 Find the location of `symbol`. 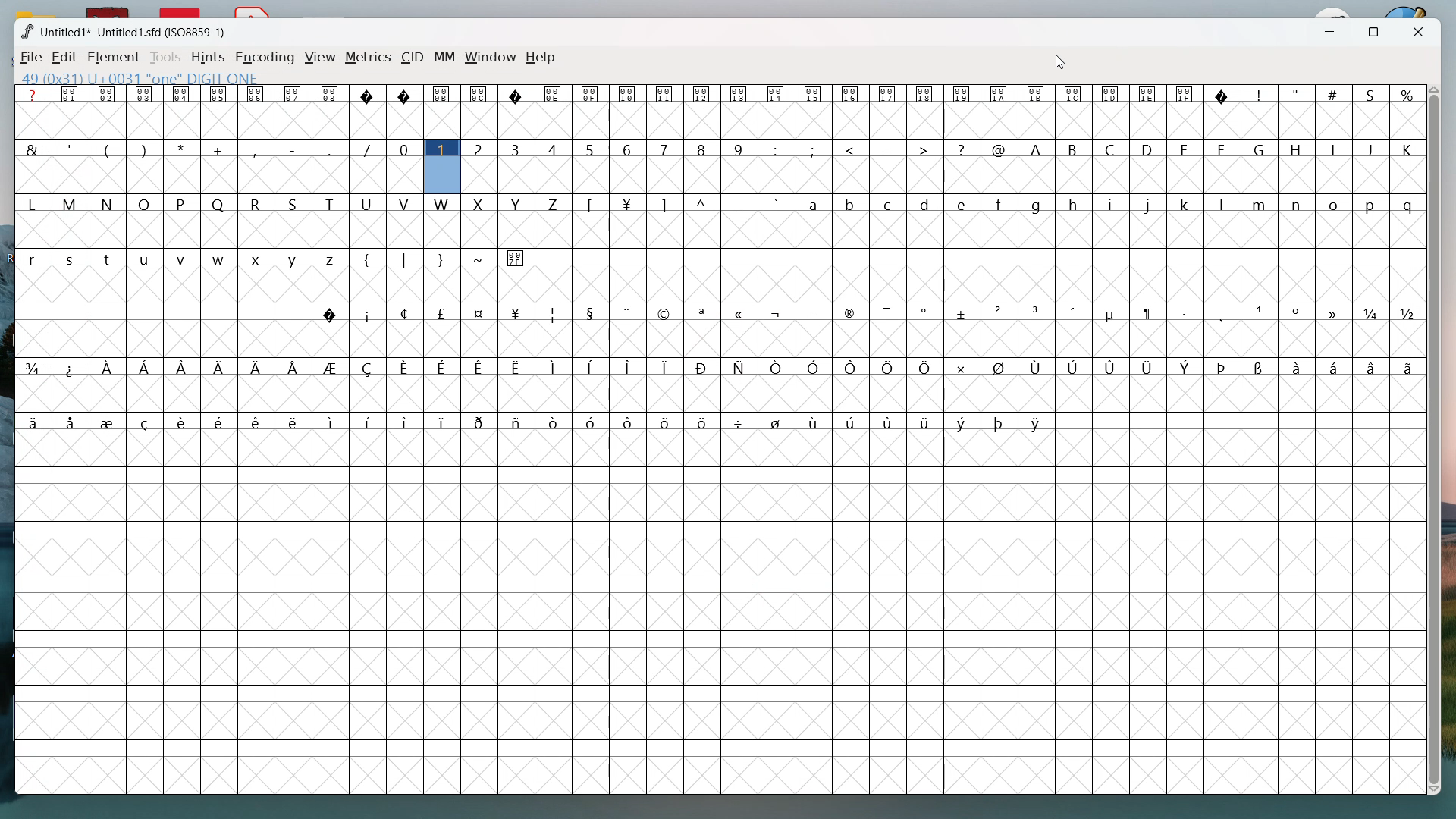

symbol is located at coordinates (667, 95).